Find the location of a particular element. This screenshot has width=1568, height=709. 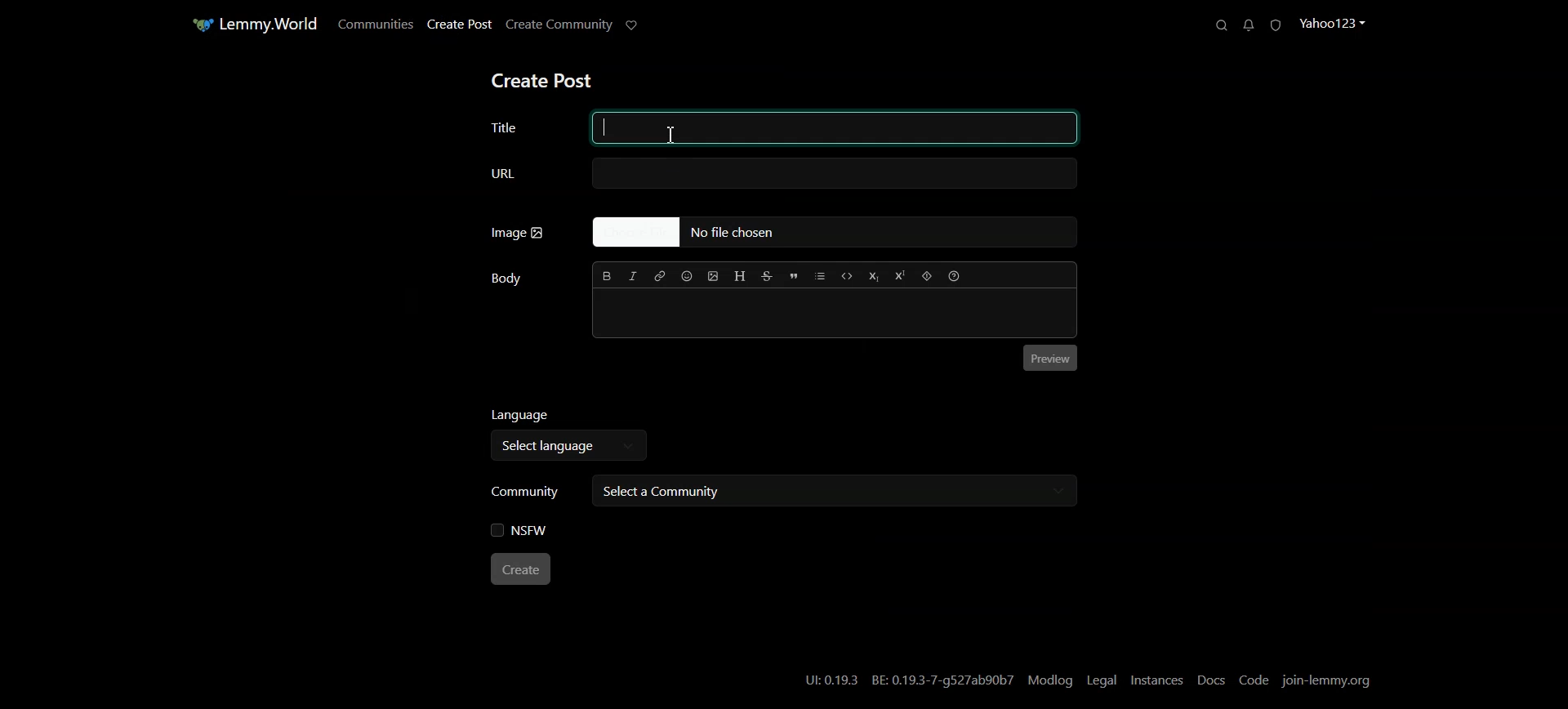

No file Chosen is located at coordinates (833, 233).